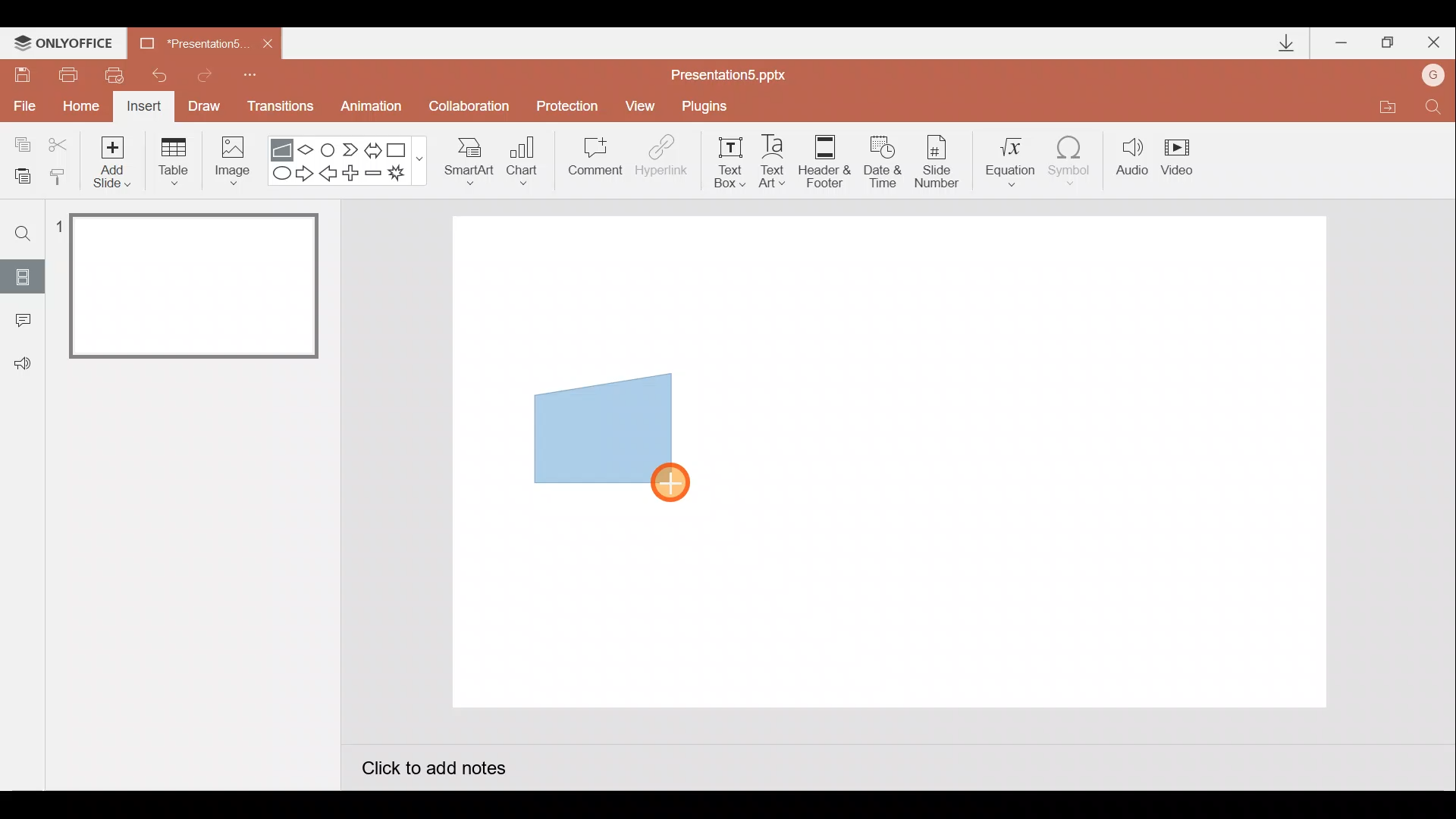 The image size is (1456, 819). What do you see at coordinates (824, 160) in the screenshot?
I see `Header & footer` at bounding box center [824, 160].